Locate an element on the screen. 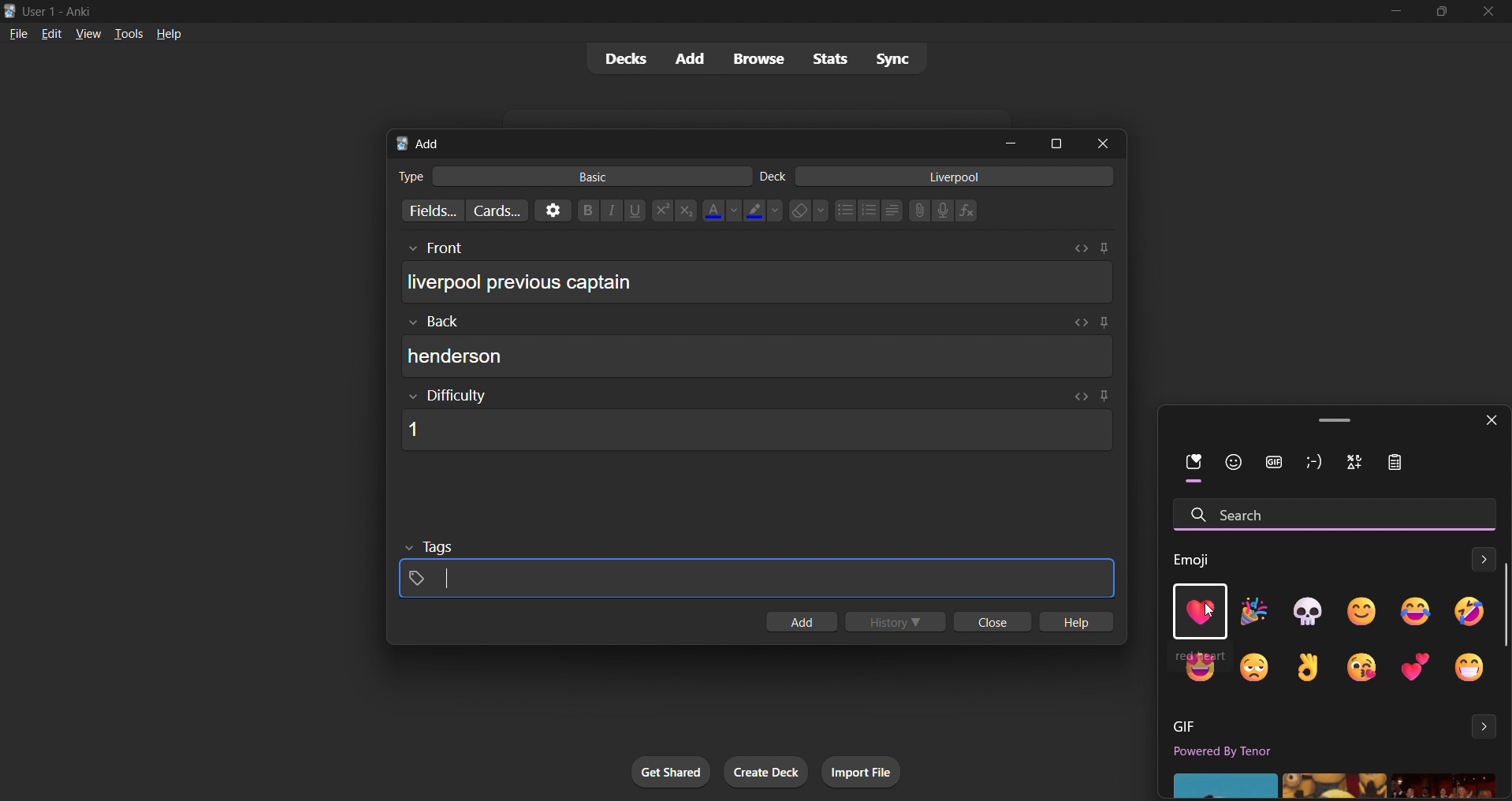 Image resolution: width=1512 pixels, height=801 pixels. expand is located at coordinates (1485, 727).